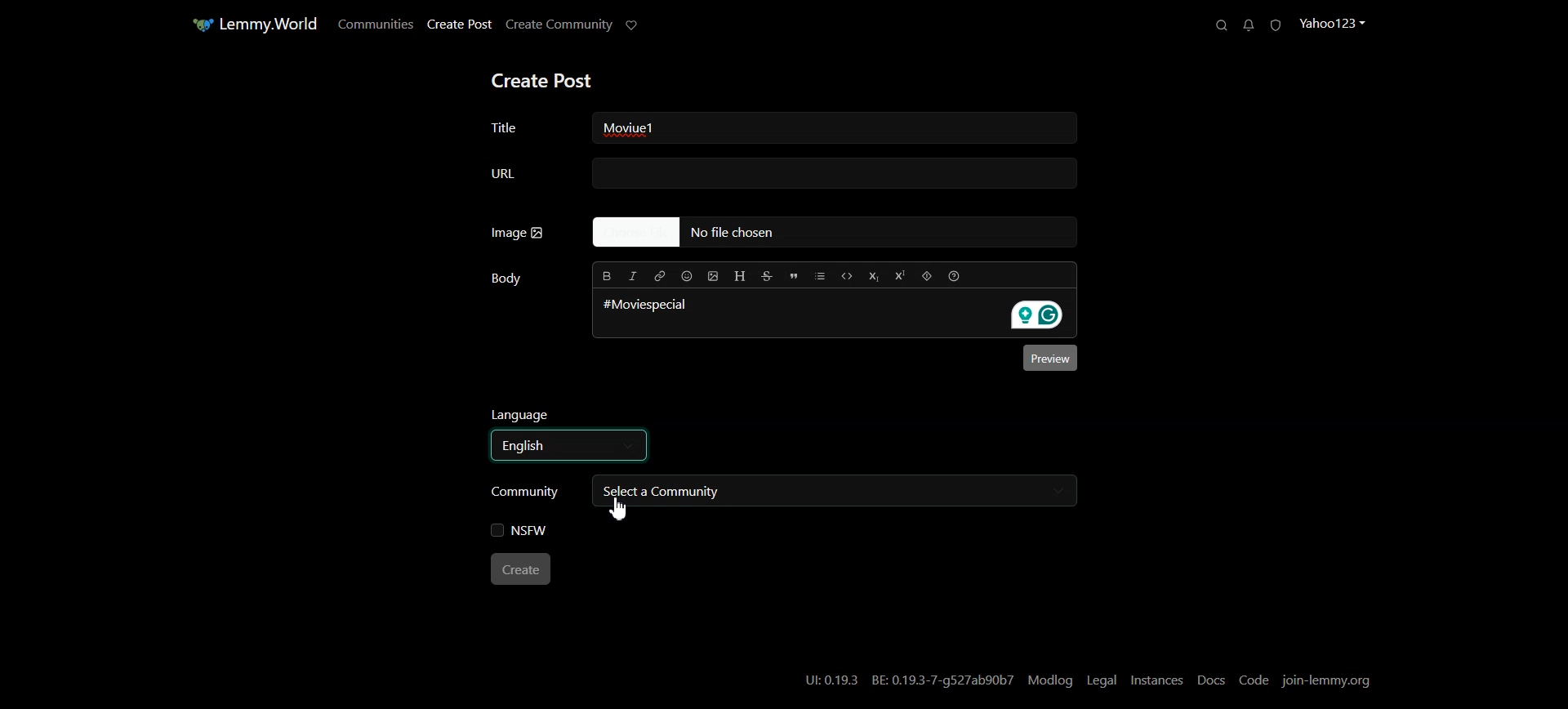 The image size is (1568, 709). What do you see at coordinates (907, 680) in the screenshot?
I see `UI:0.19.3 BE: 0.19.3-7-g527ab90b7` at bounding box center [907, 680].